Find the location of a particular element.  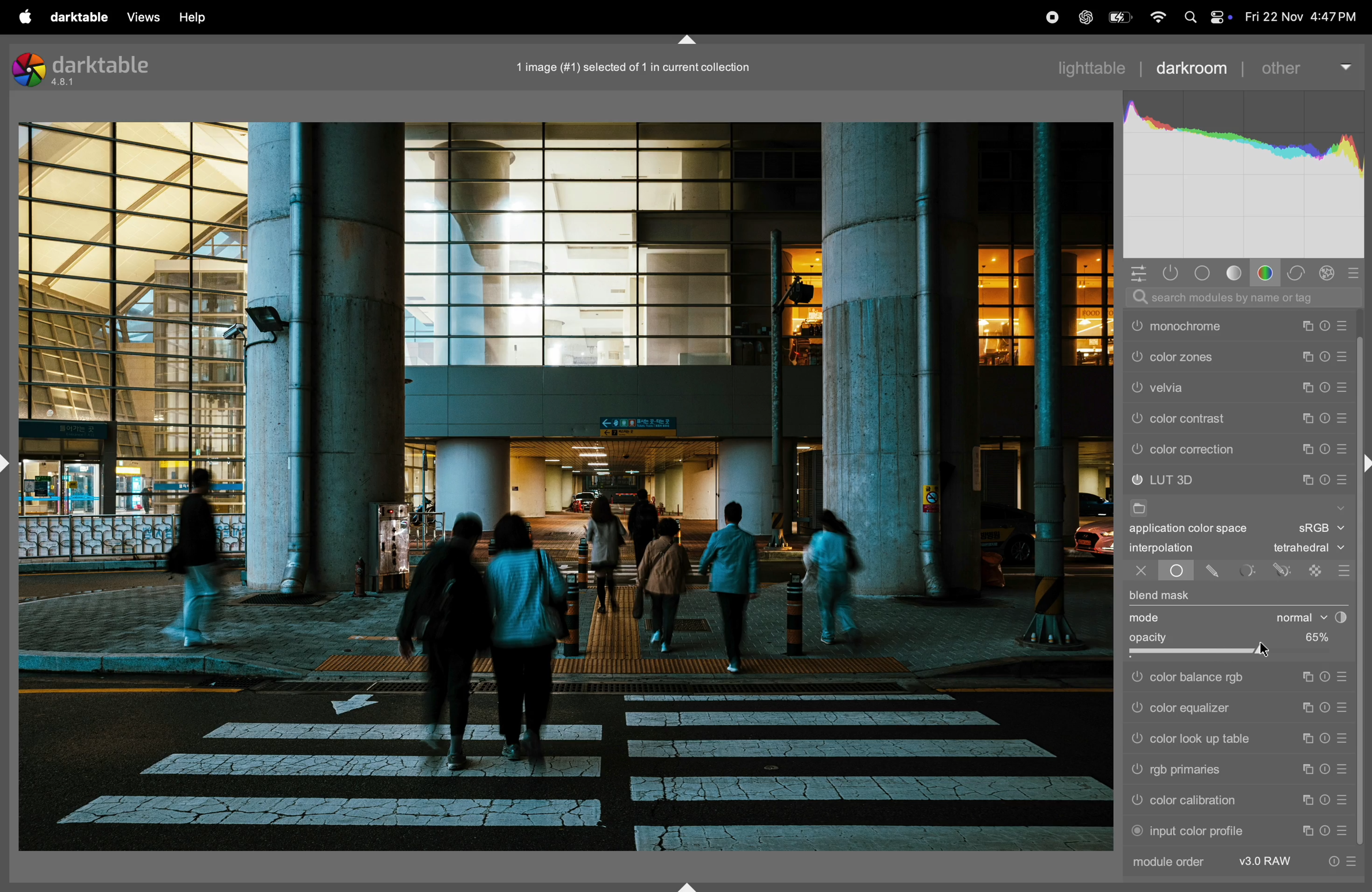

reset is located at coordinates (1325, 830).